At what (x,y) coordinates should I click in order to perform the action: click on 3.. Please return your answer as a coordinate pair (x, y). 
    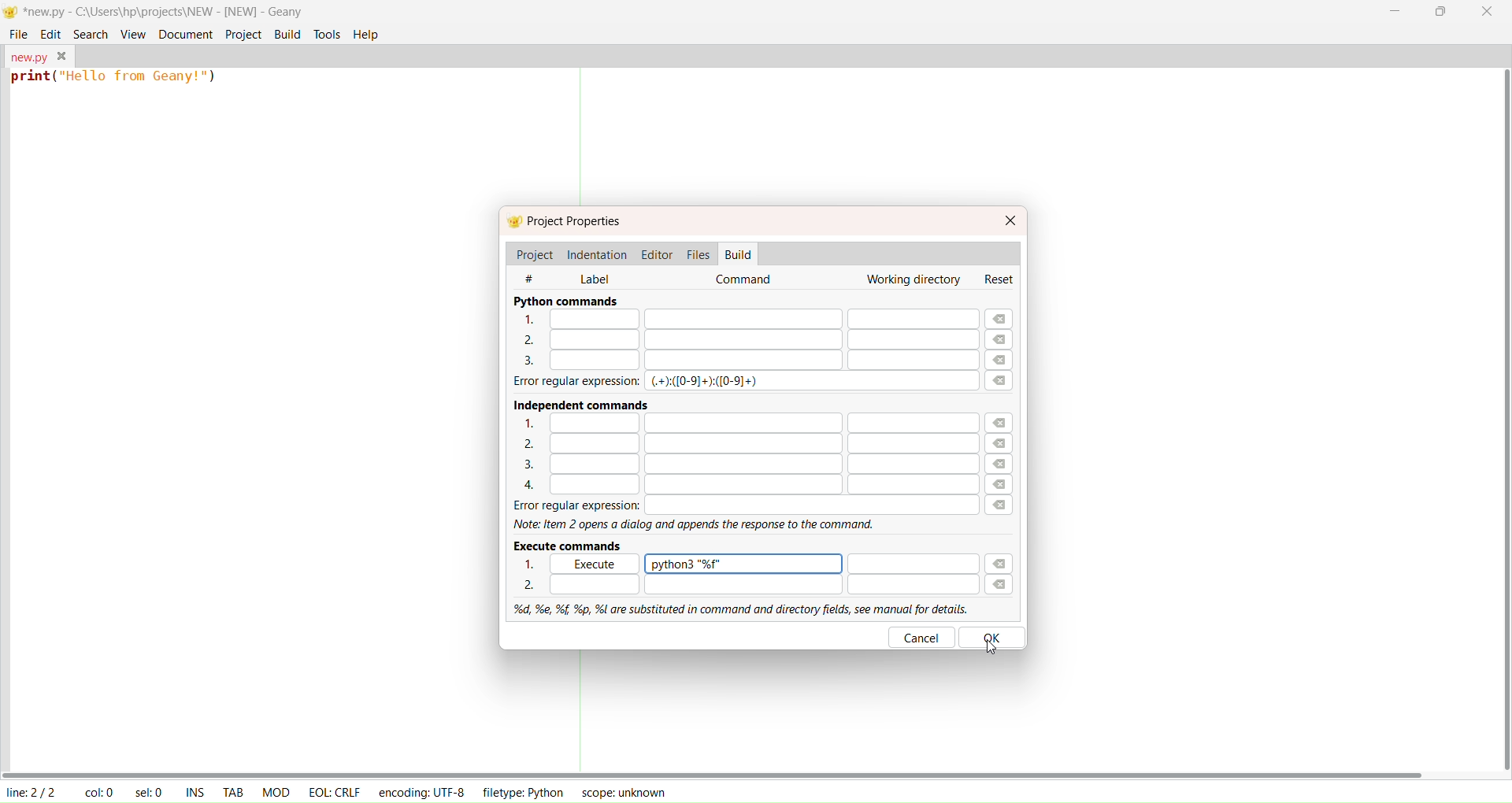
    Looking at the image, I should click on (738, 465).